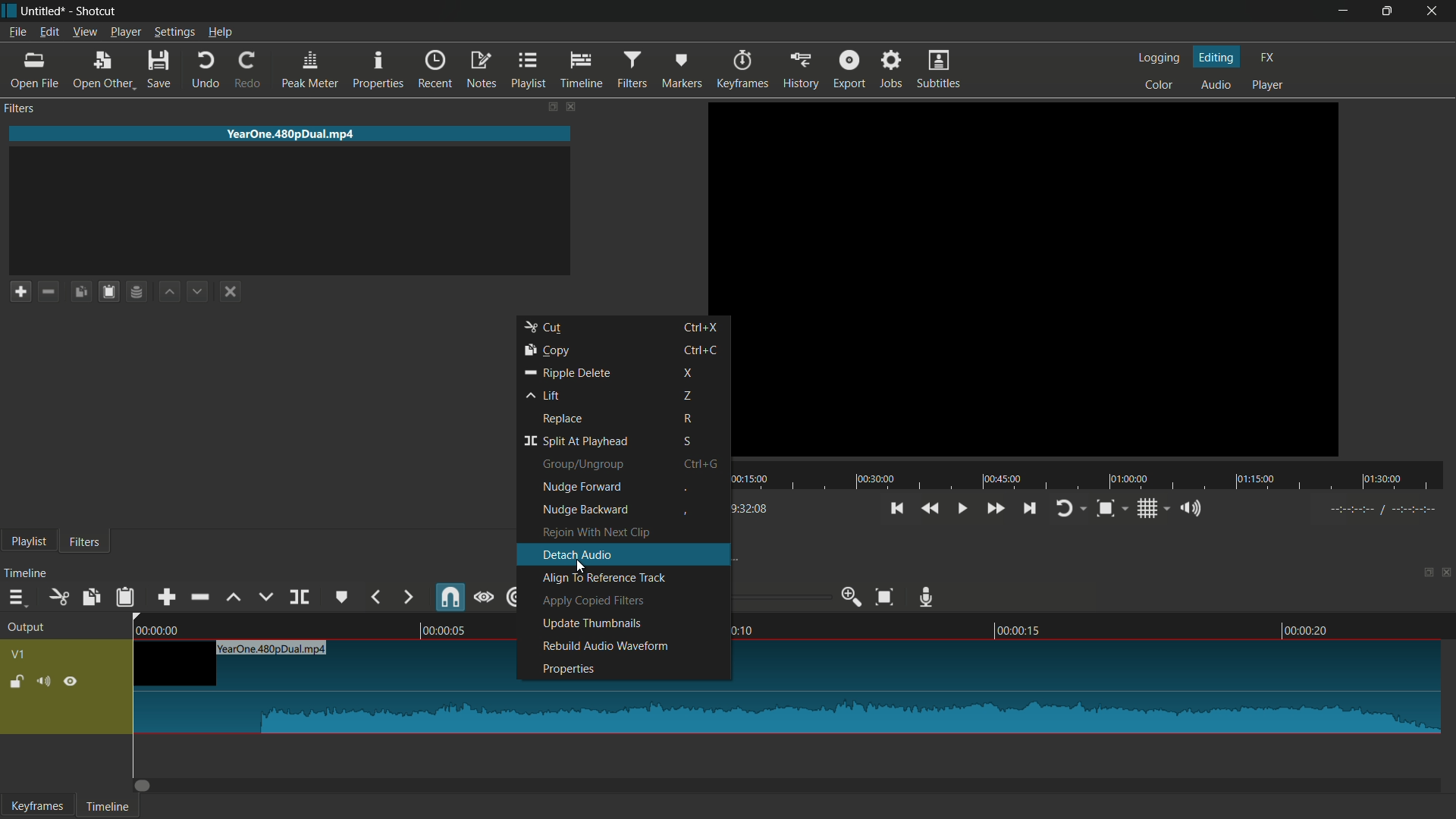 The width and height of the screenshot is (1456, 819). What do you see at coordinates (1307, 631) in the screenshot?
I see `00:00:20` at bounding box center [1307, 631].